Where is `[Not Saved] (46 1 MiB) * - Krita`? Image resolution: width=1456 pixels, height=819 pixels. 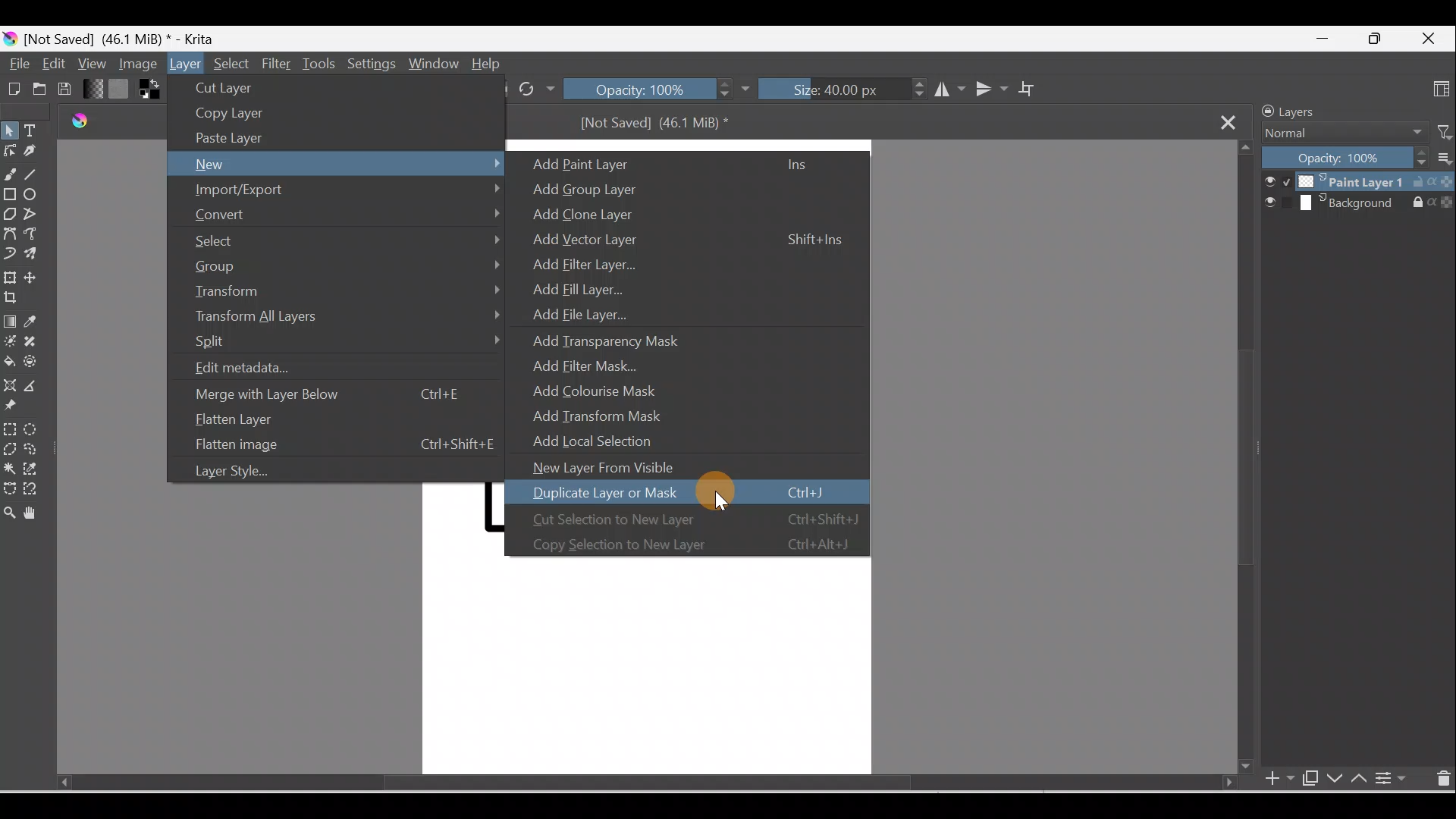
[Not Saved] (46 1 MiB) * - Krita is located at coordinates (130, 36).